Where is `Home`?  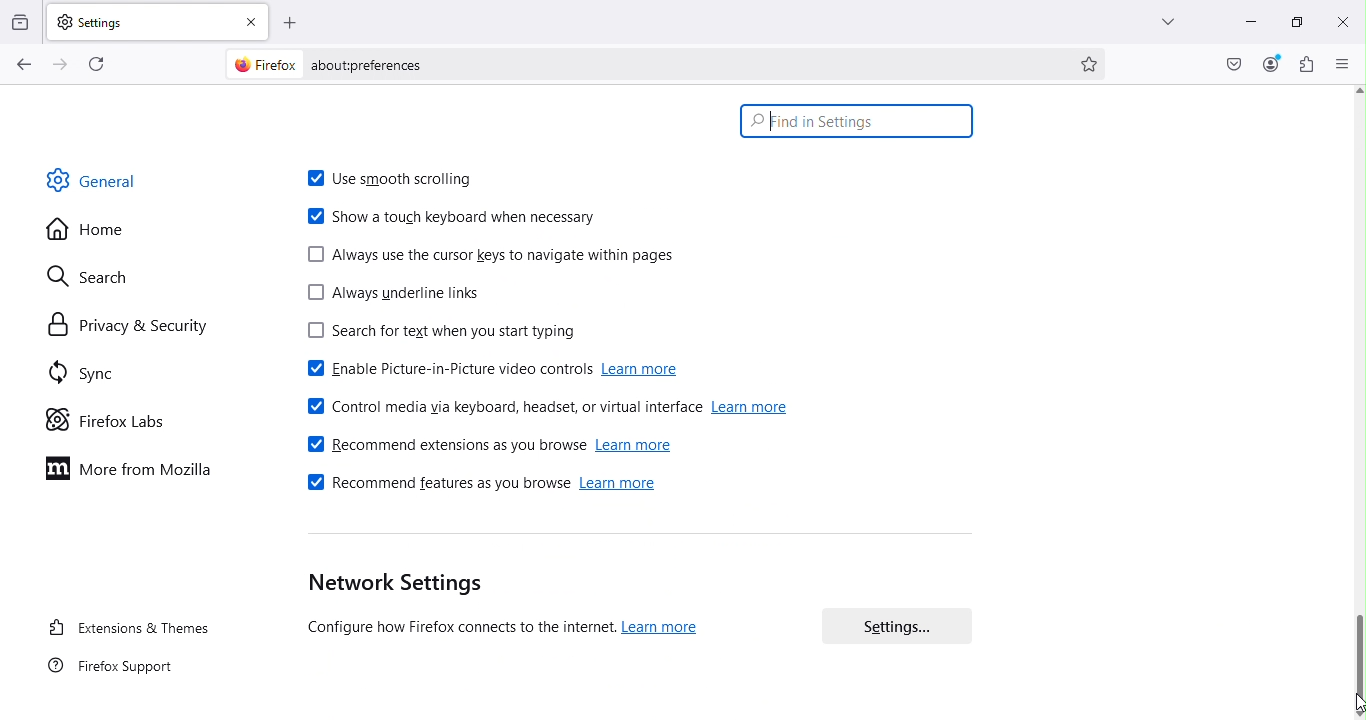
Home is located at coordinates (98, 230).